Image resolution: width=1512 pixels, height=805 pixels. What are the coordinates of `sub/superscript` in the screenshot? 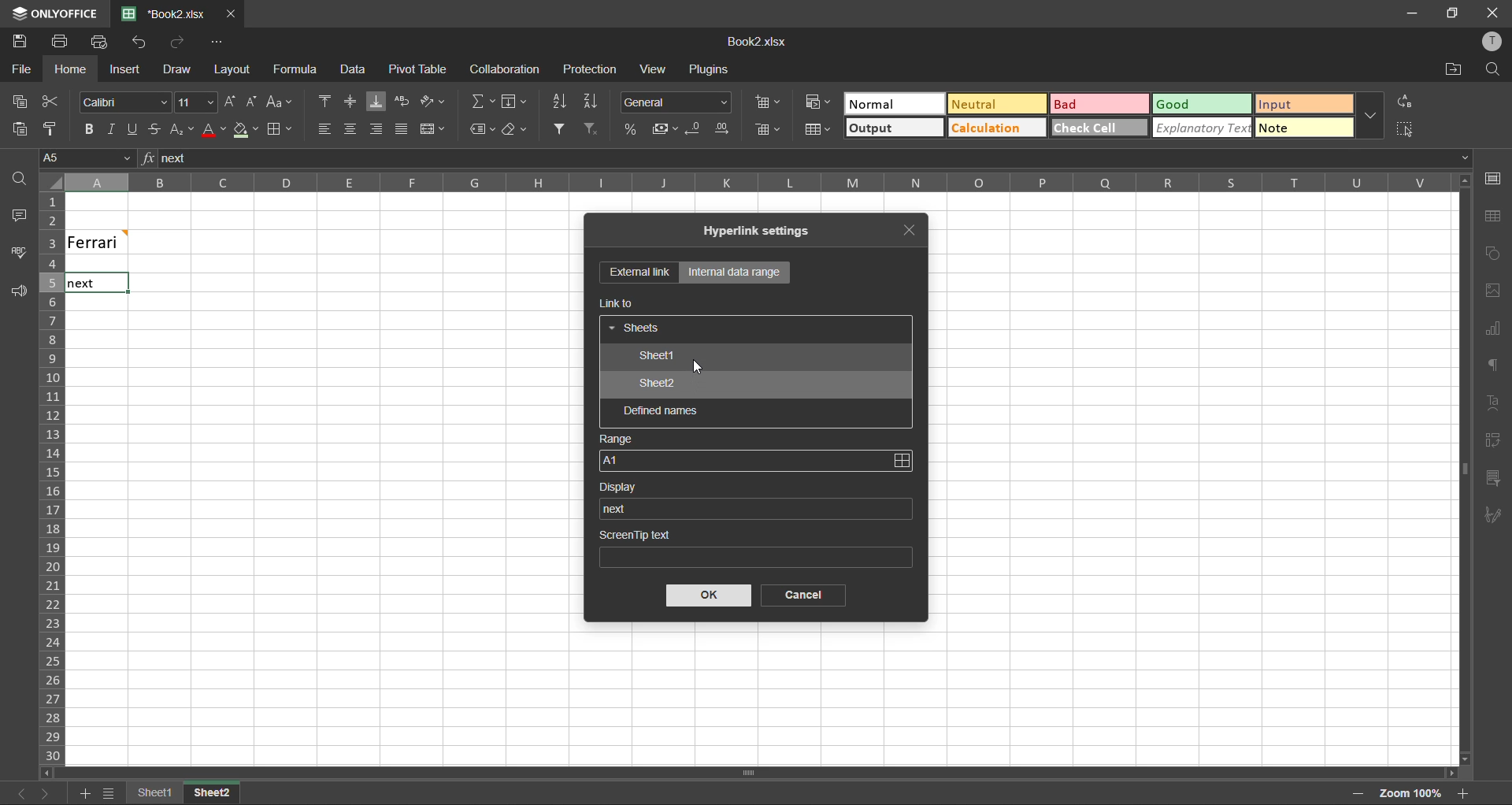 It's located at (179, 128).